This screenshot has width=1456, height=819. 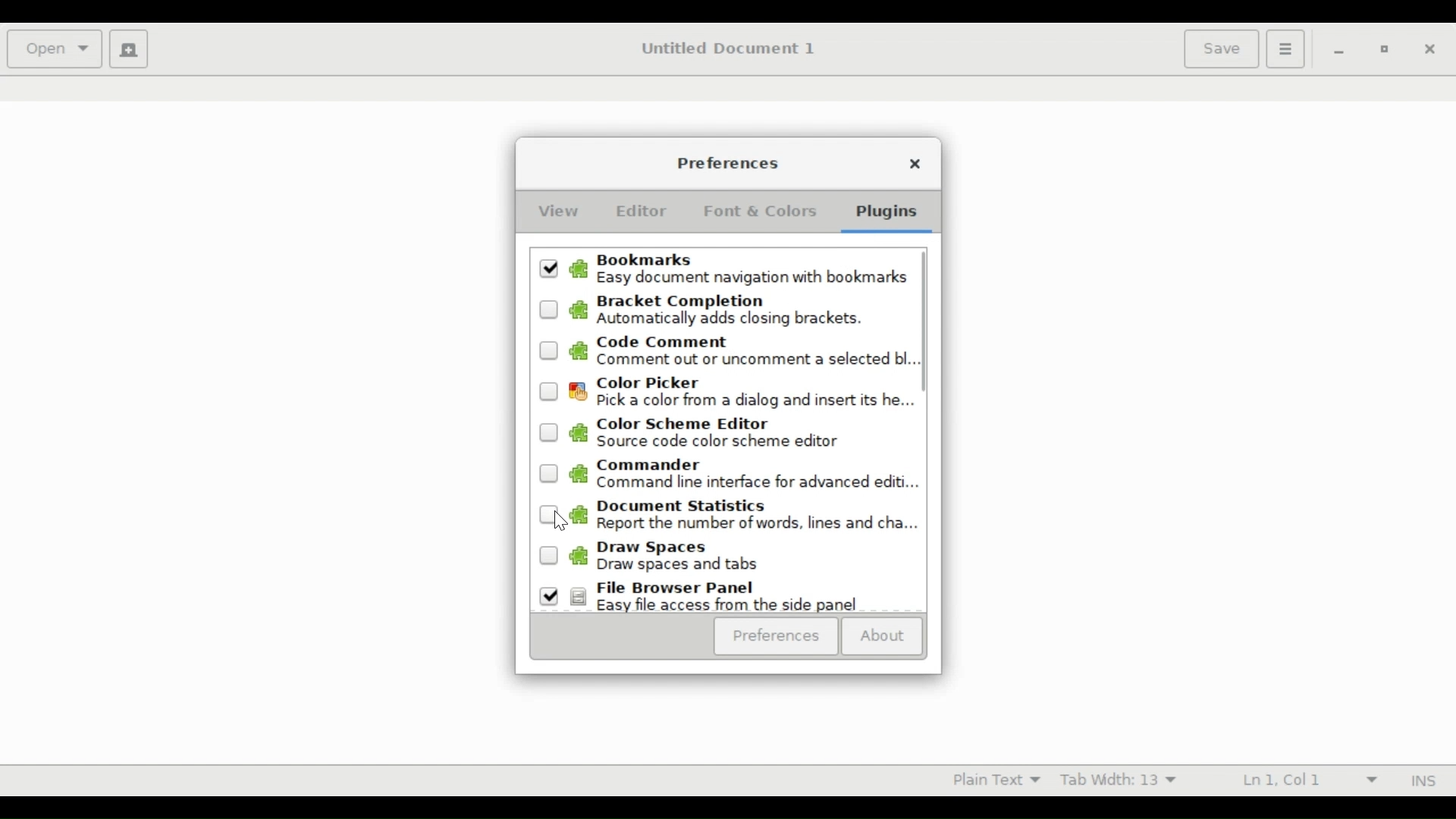 I want to click on Preferences, so click(x=730, y=165).